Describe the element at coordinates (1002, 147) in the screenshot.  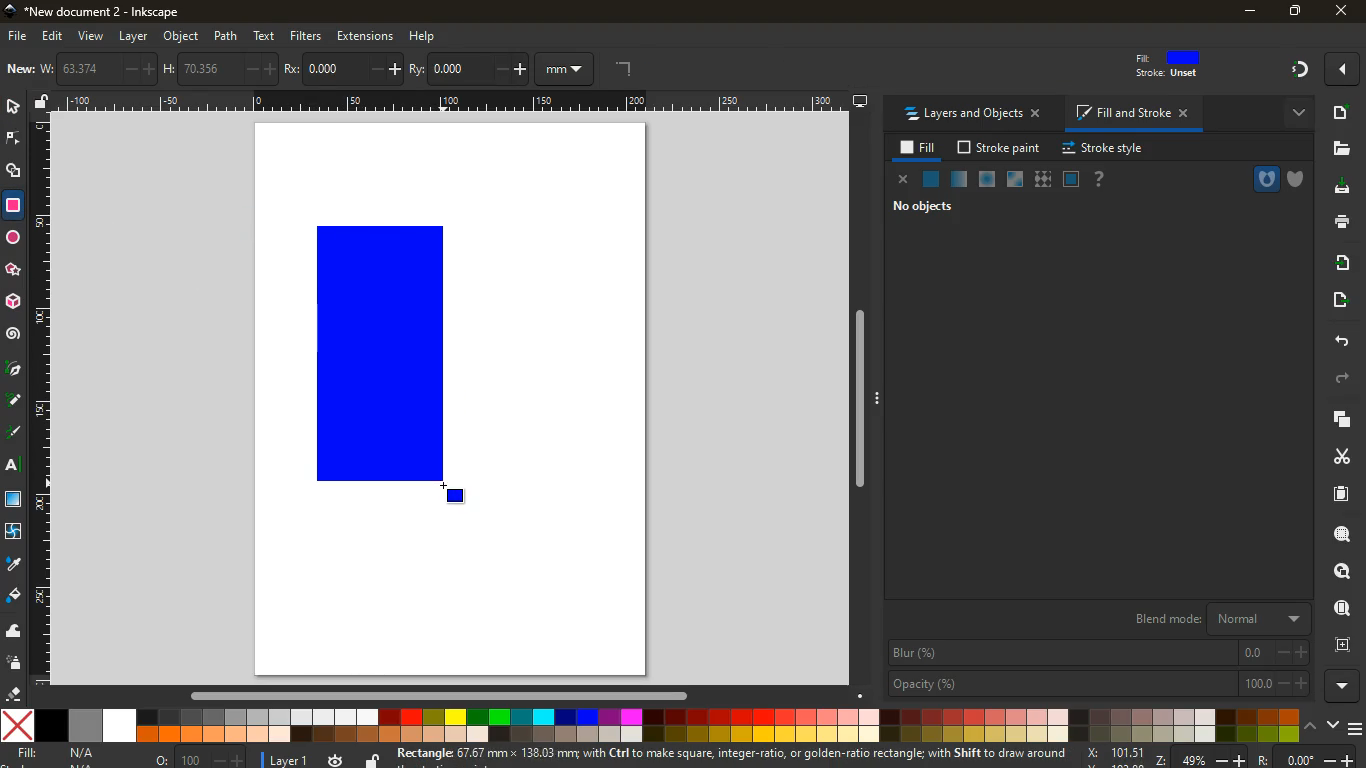
I see `stroke paint` at that location.